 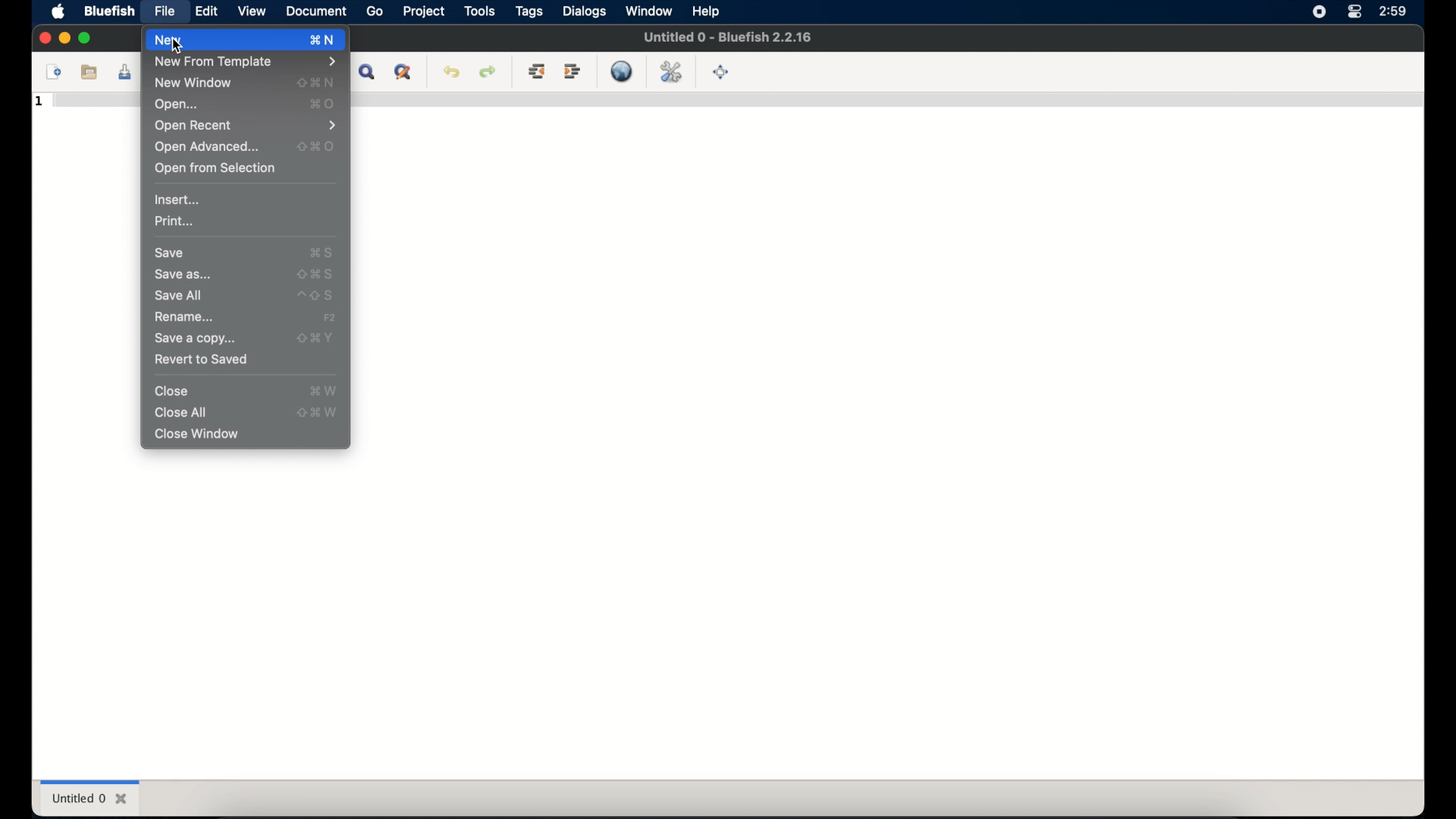 I want to click on code line, so click(x=885, y=99).